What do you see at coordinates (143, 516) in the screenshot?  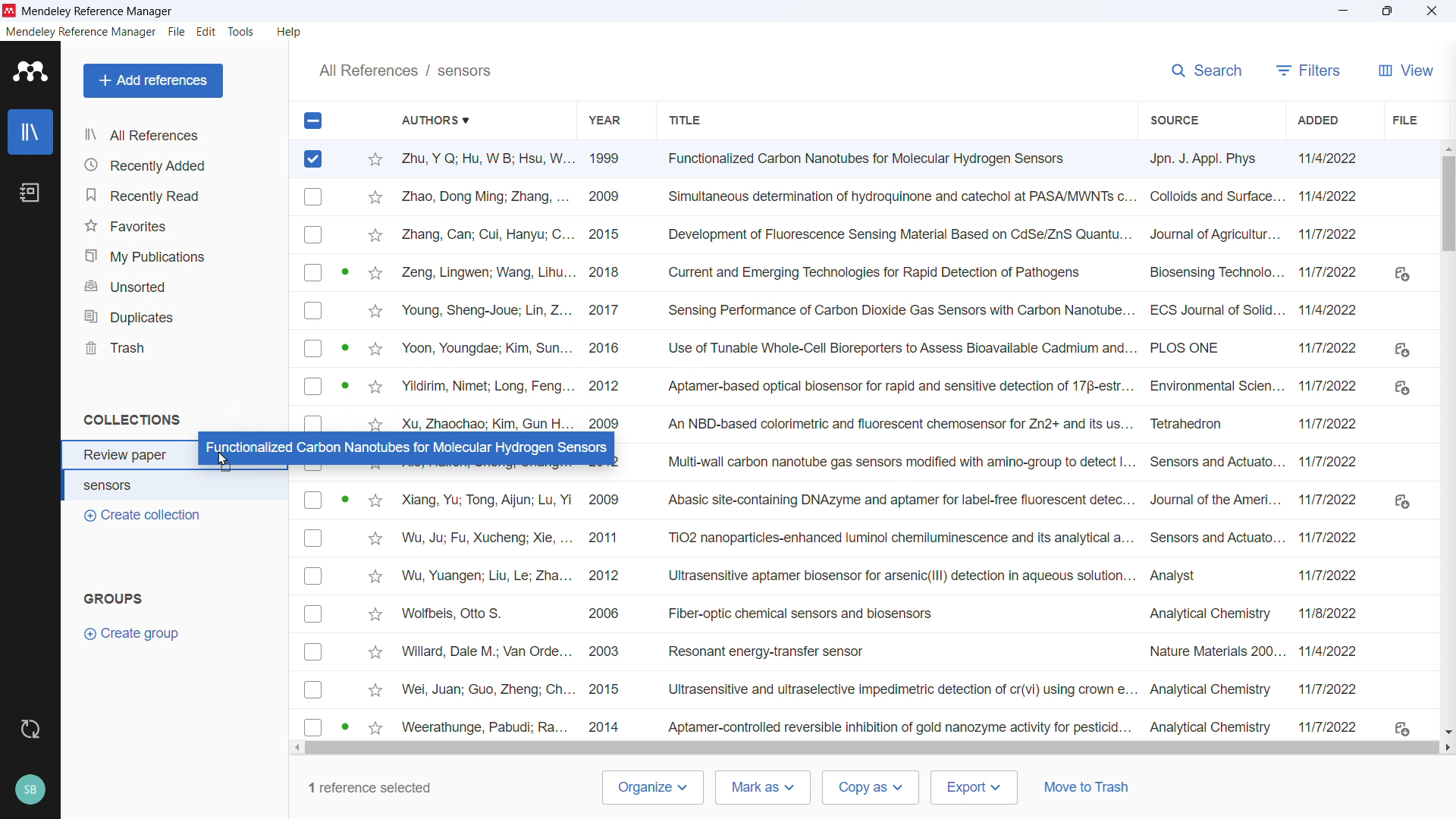 I see `Create collection ` at bounding box center [143, 516].